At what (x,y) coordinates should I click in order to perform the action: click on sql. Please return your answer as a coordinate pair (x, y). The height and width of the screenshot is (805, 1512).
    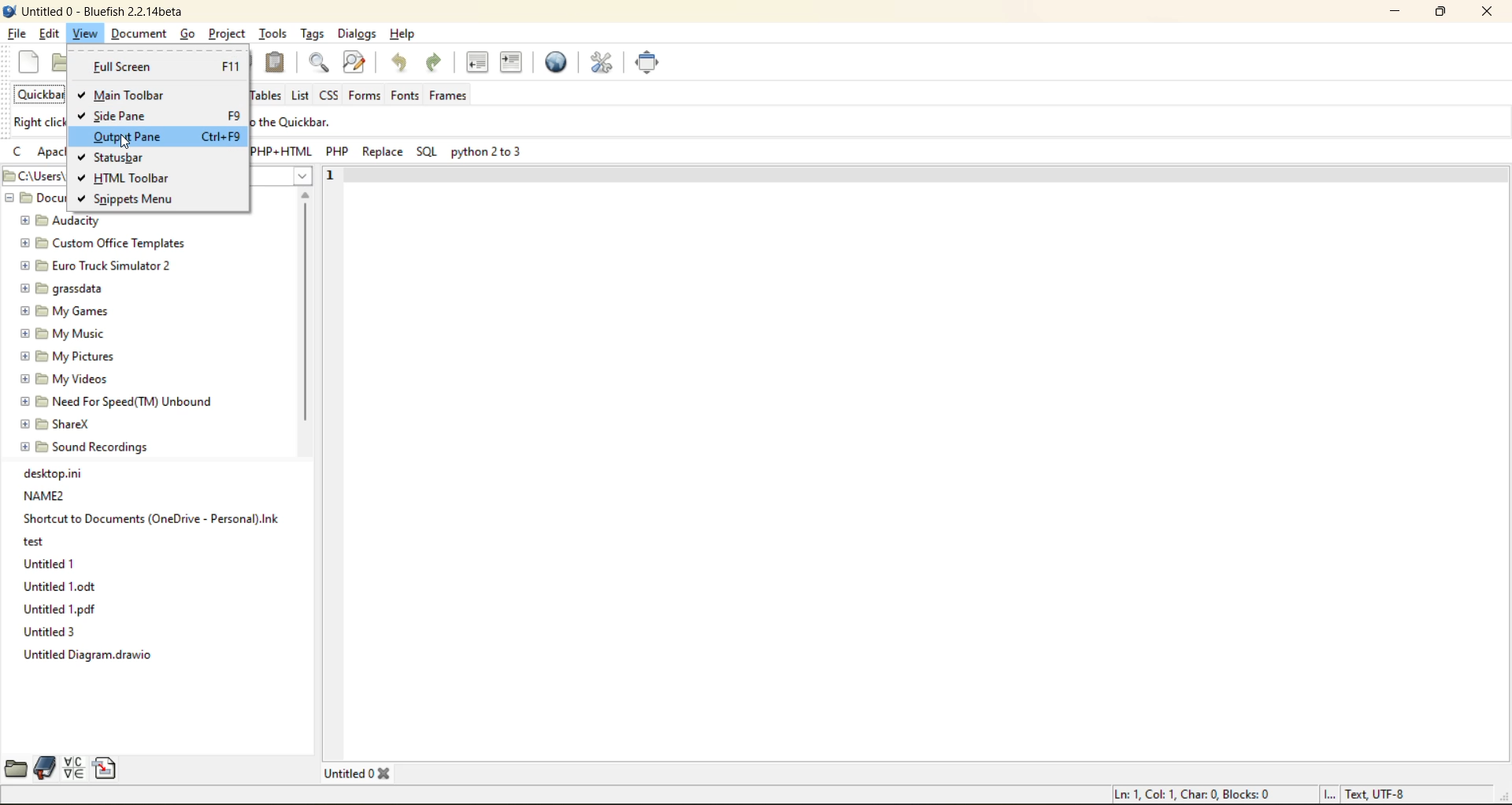
    Looking at the image, I should click on (430, 153).